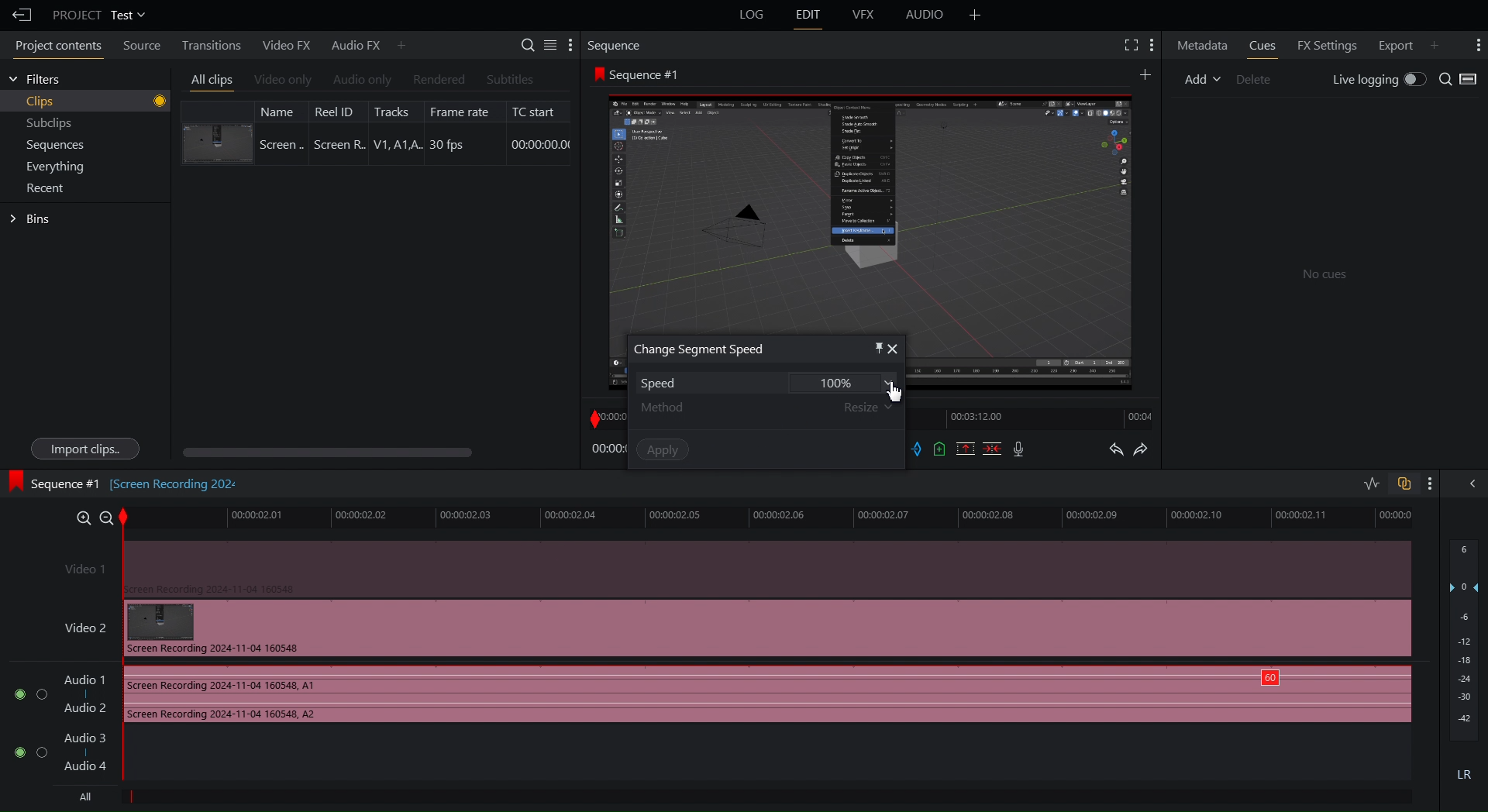  I want to click on Toggles, so click(1387, 485).